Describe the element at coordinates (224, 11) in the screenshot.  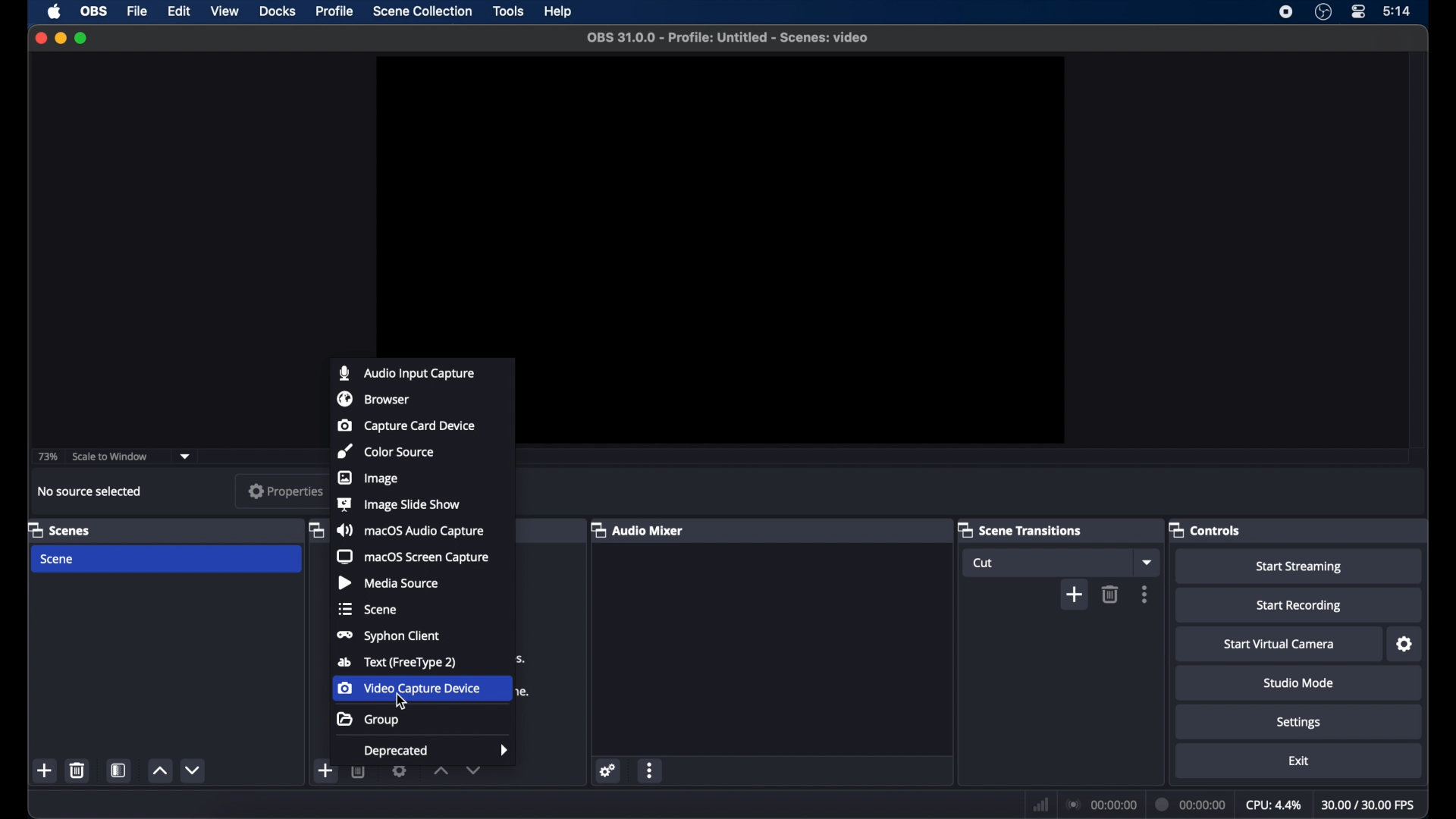
I see `view` at that location.